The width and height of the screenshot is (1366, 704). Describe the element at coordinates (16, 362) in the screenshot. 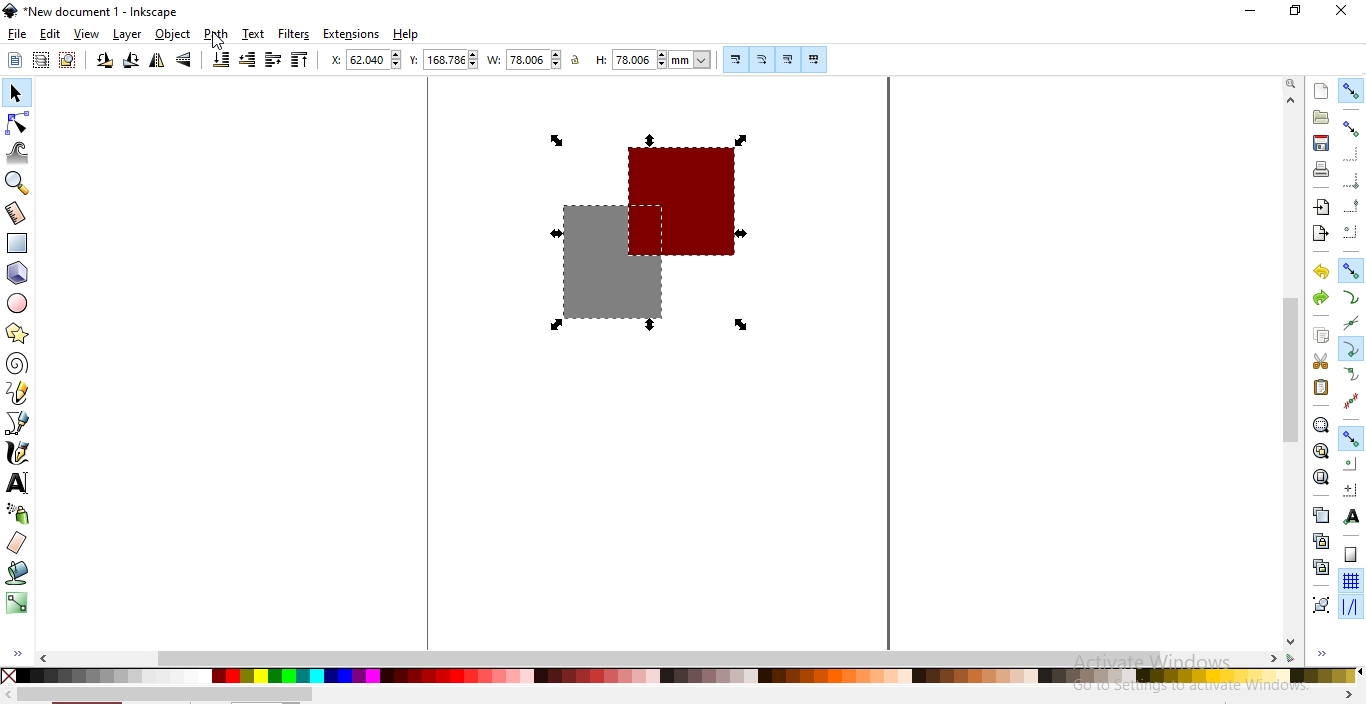

I see `create spiral` at that location.